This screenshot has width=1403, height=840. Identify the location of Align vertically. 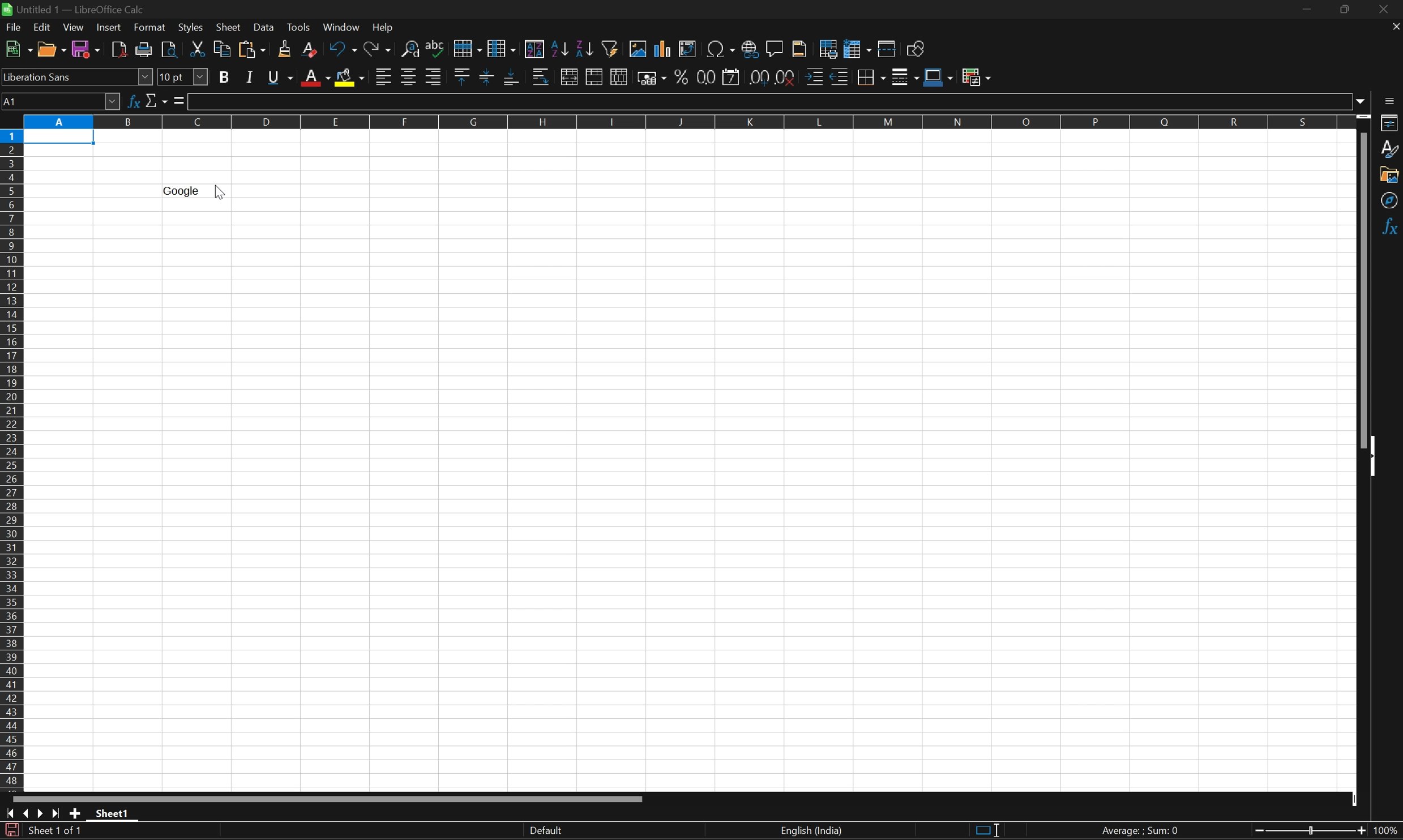
(487, 76).